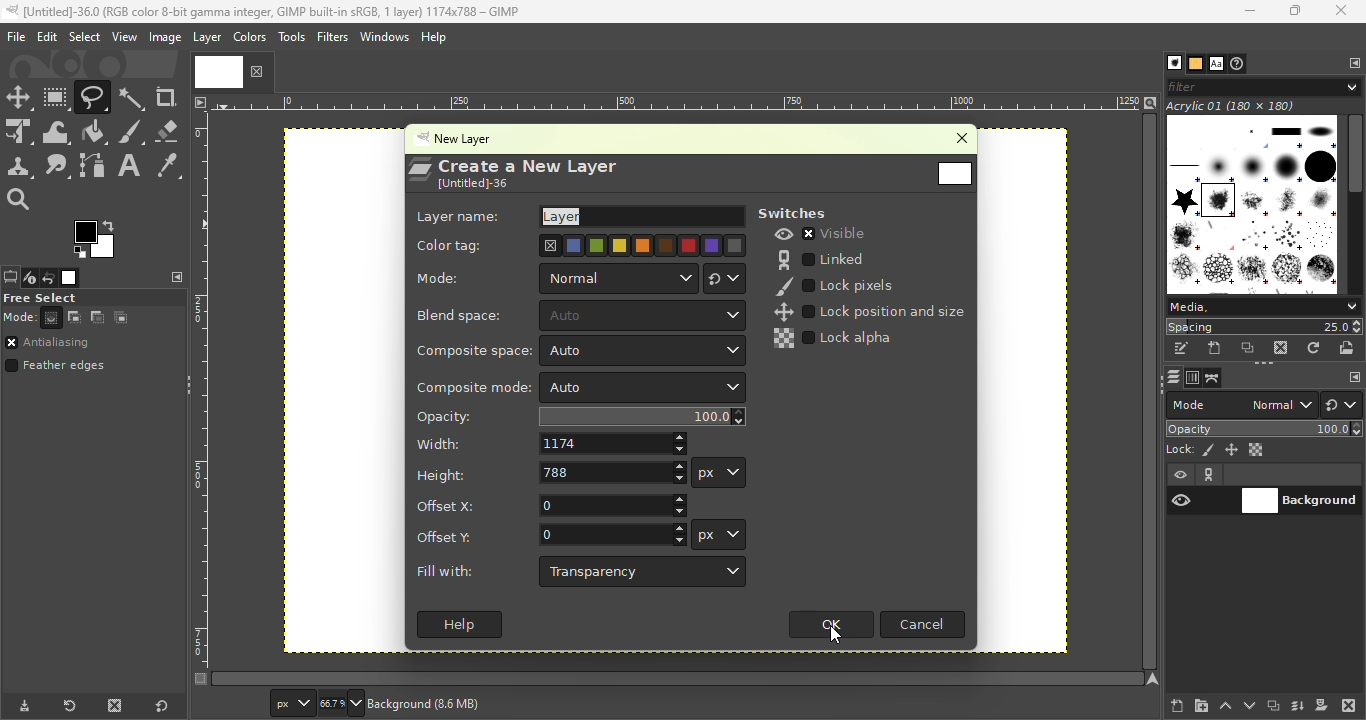 The image size is (1366, 720). Describe the element at coordinates (332, 37) in the screenshot. I see `Filters` at that location.